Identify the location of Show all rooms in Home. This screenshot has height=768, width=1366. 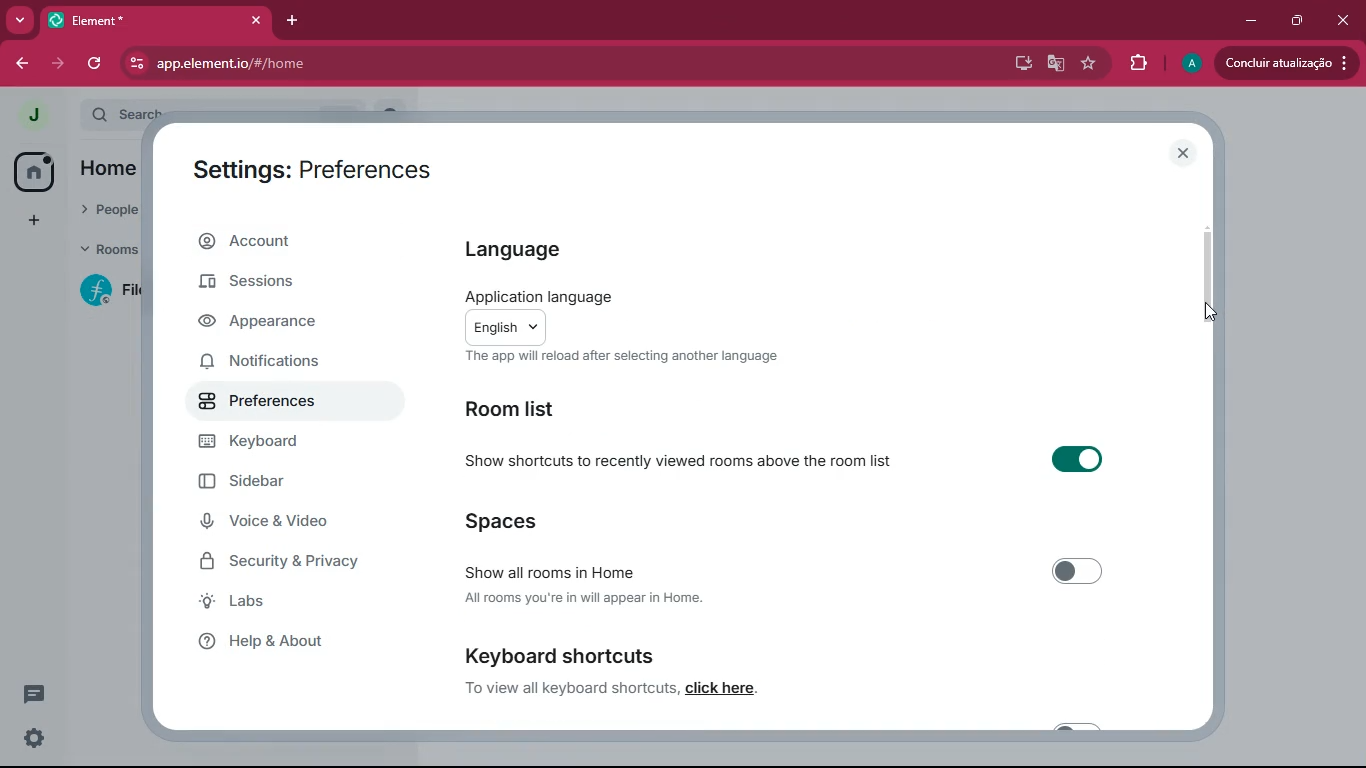
(787, 569).